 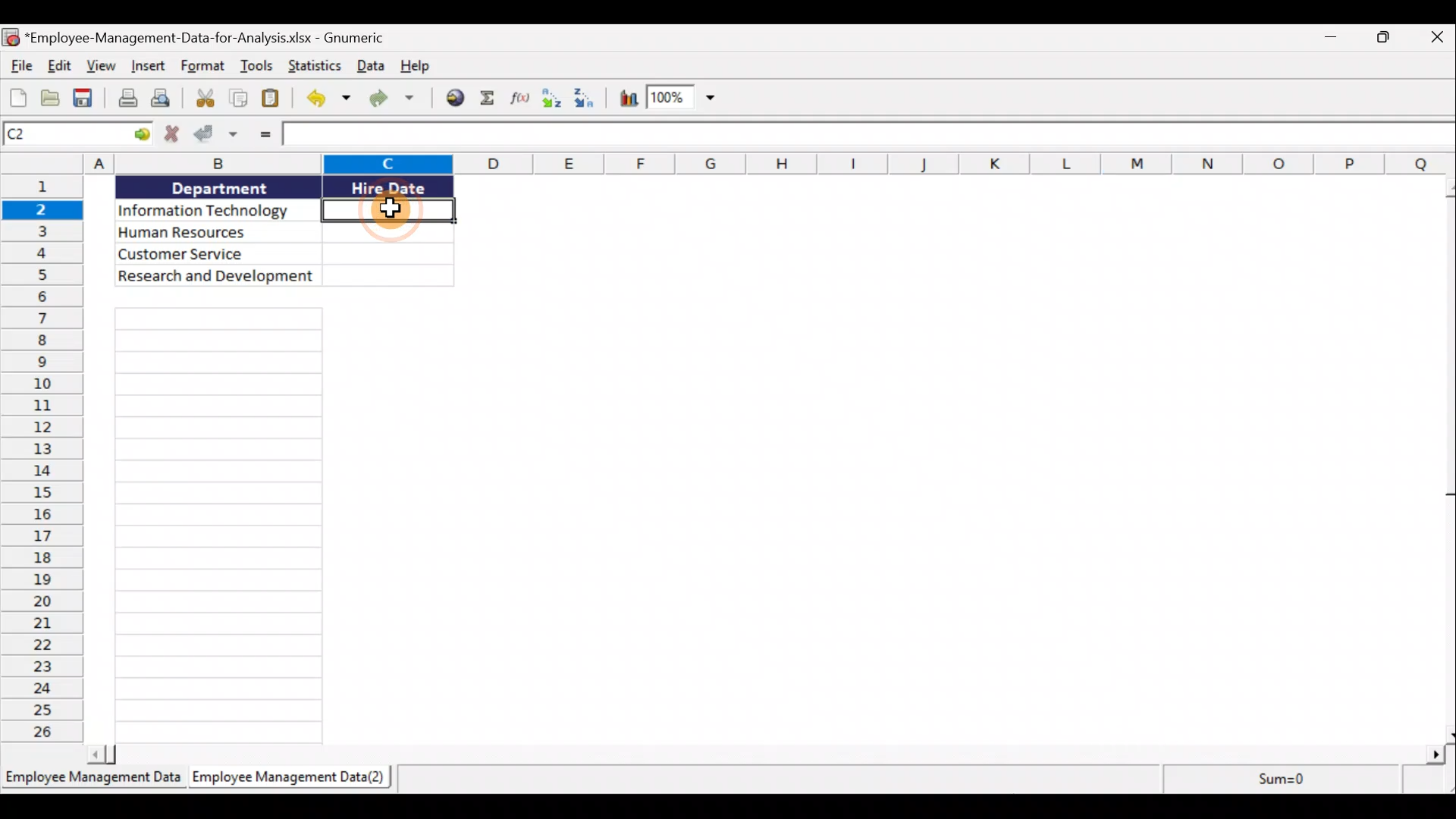 I want to click on Document name, so click(x=194, y=36).